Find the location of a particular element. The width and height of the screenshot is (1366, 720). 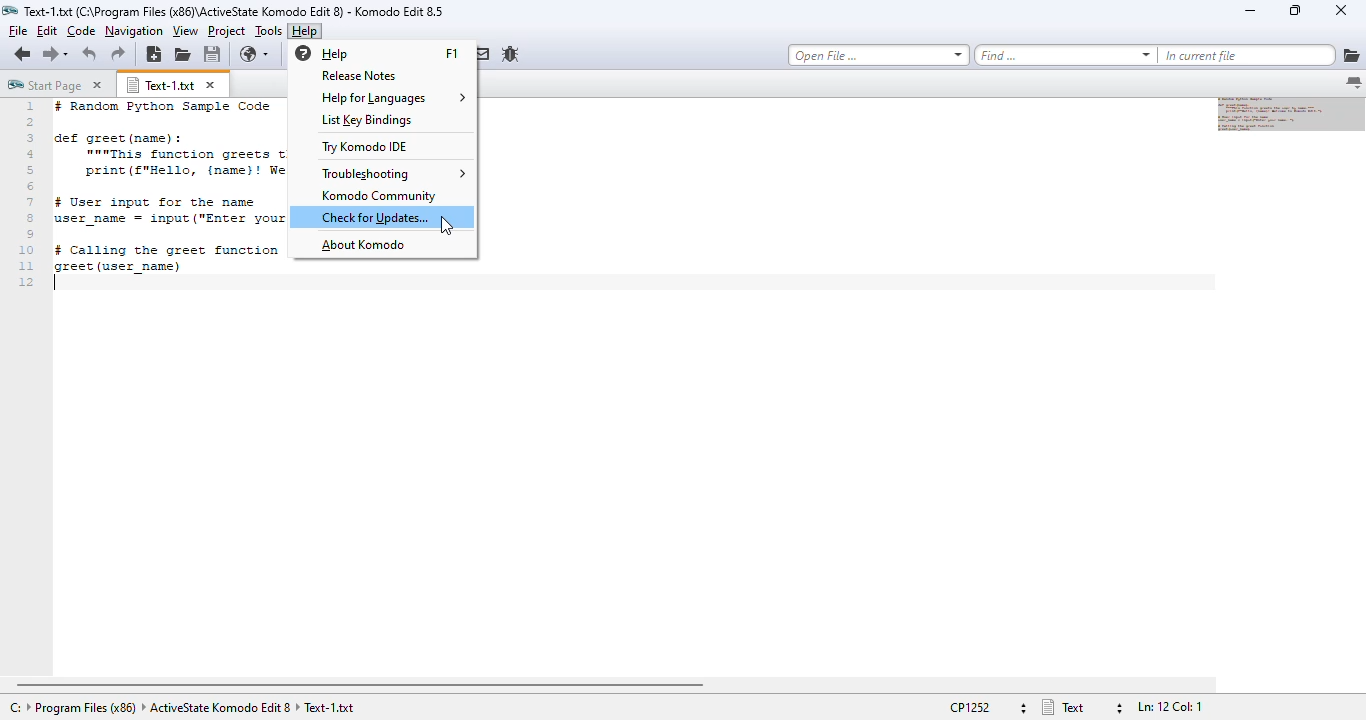

check for updates is located at coordinates (375, 217).